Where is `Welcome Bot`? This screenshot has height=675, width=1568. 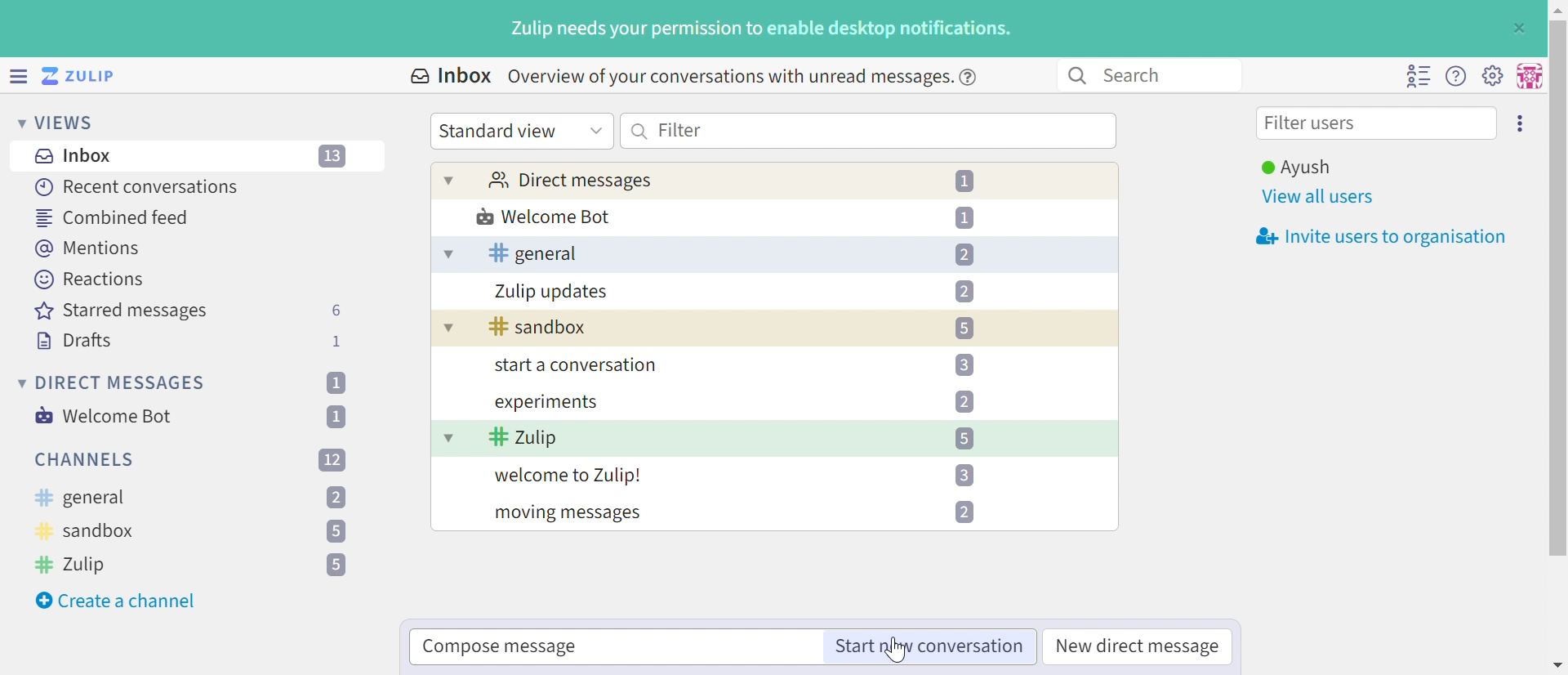 Welcome Bot is located at coordinates (545, 218).